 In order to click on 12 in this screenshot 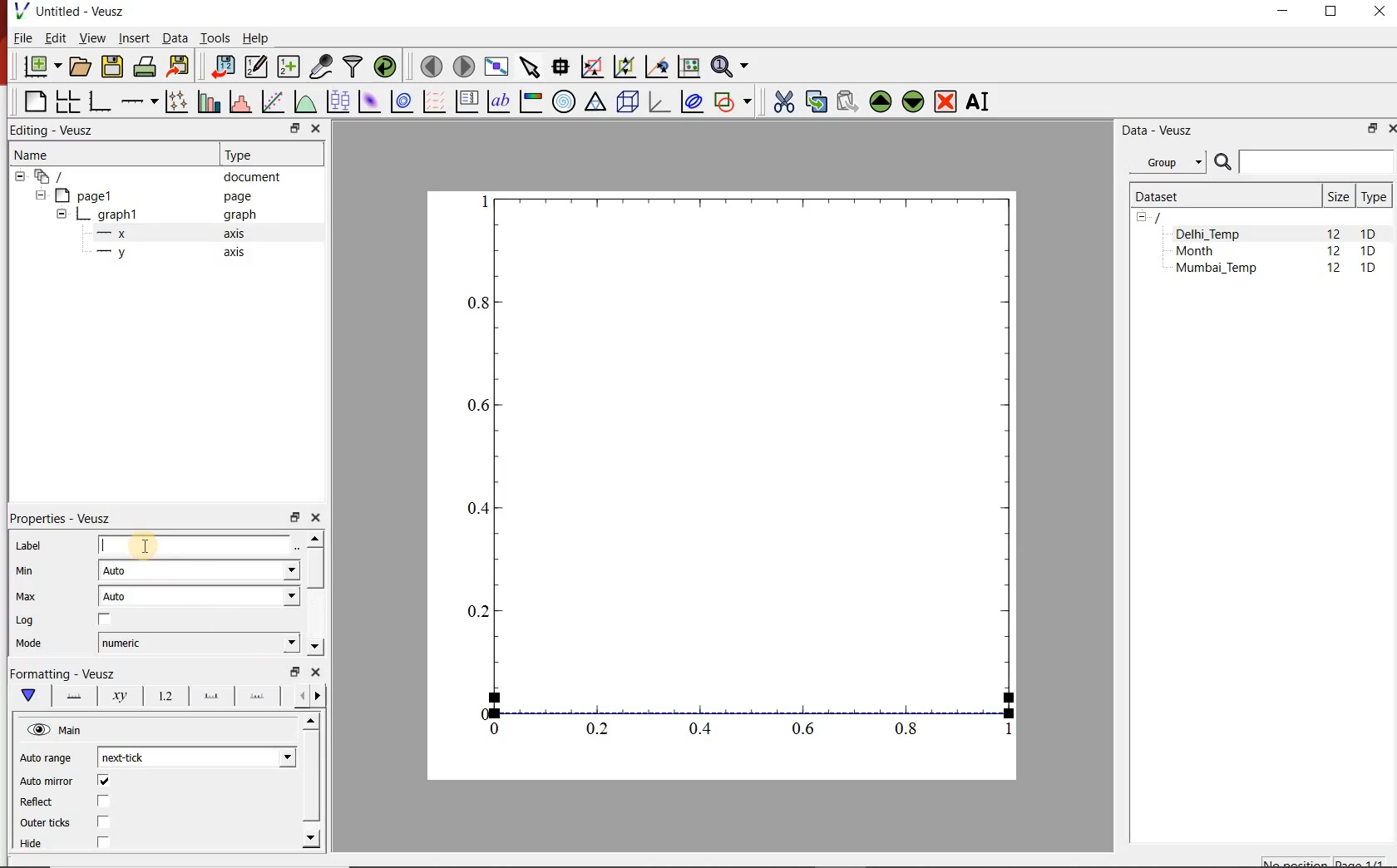, I will do `click(1334, 253)`.